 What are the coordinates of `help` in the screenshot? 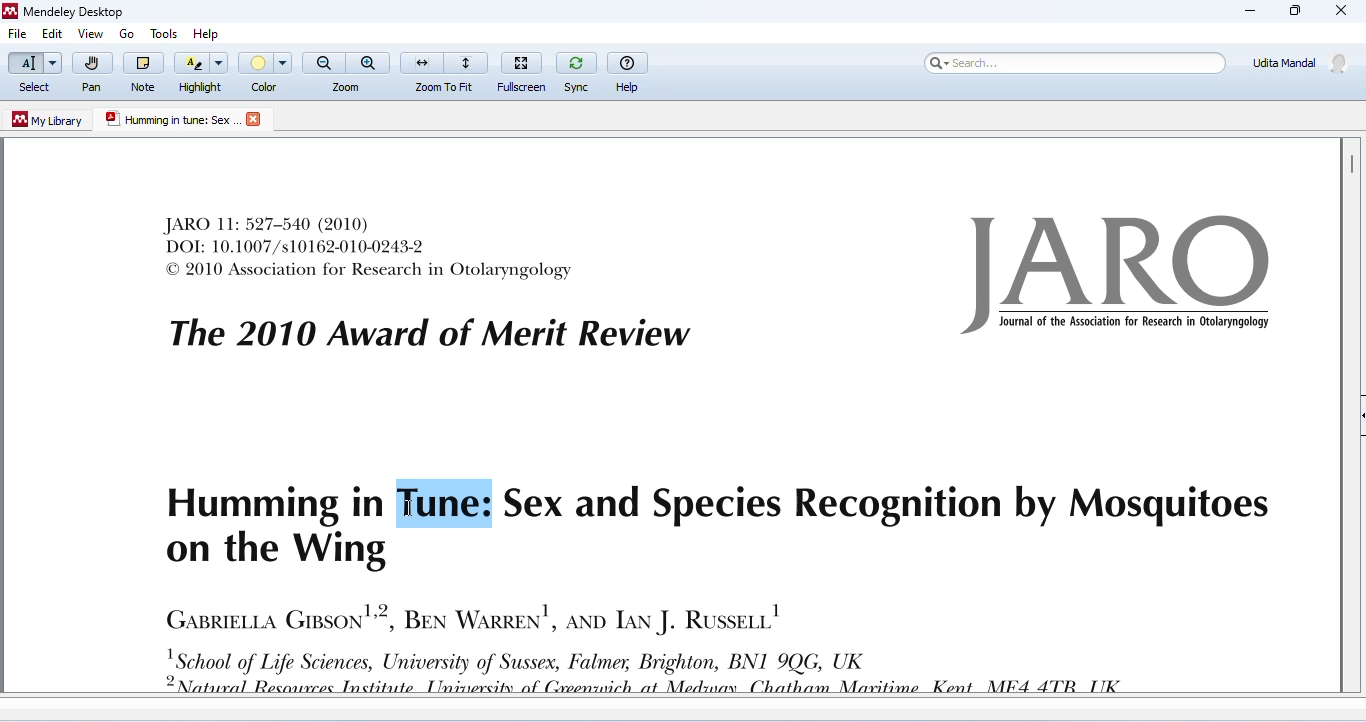 It's located at (629, 70).